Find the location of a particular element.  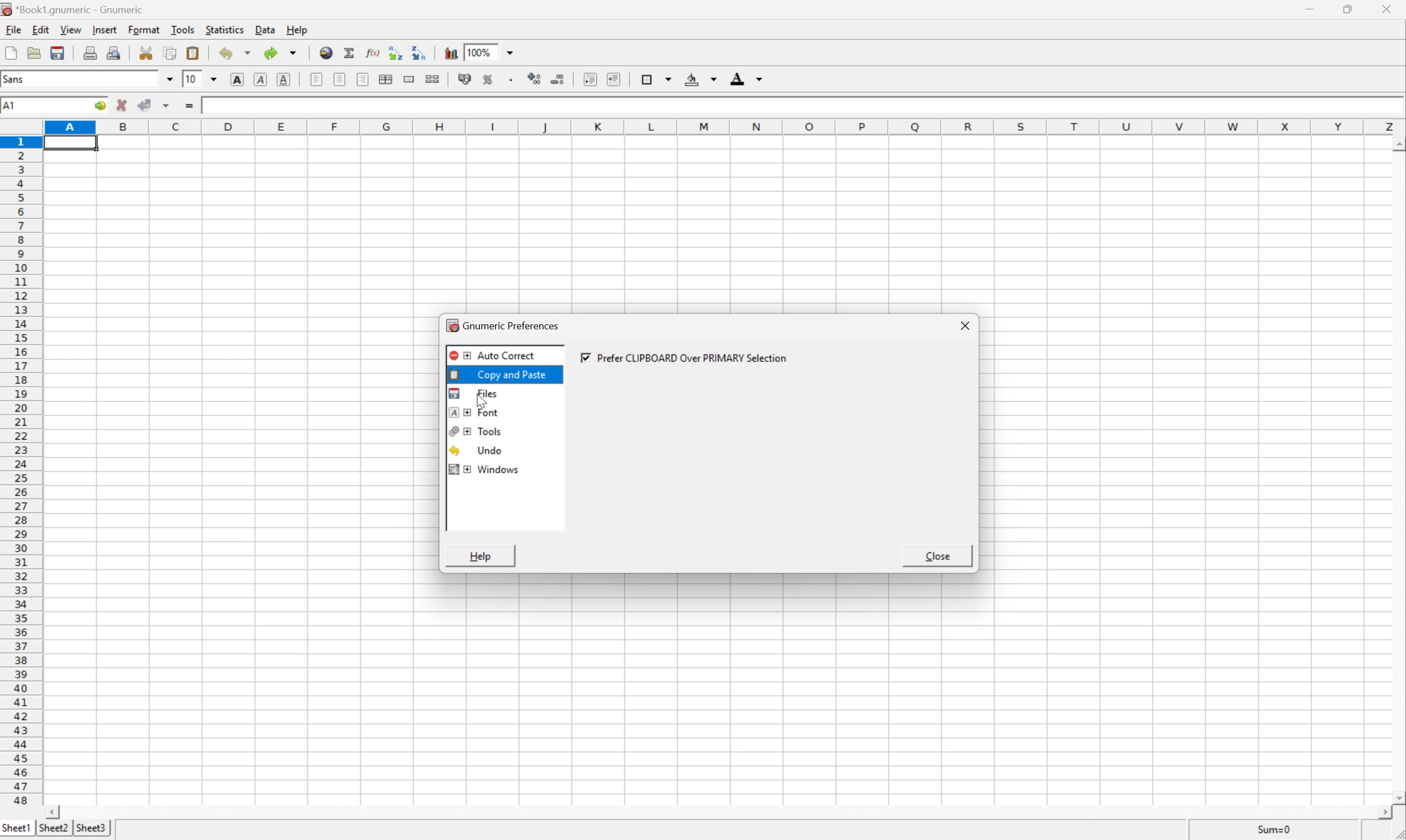

scroll right is located at coordinates (1374, 812).